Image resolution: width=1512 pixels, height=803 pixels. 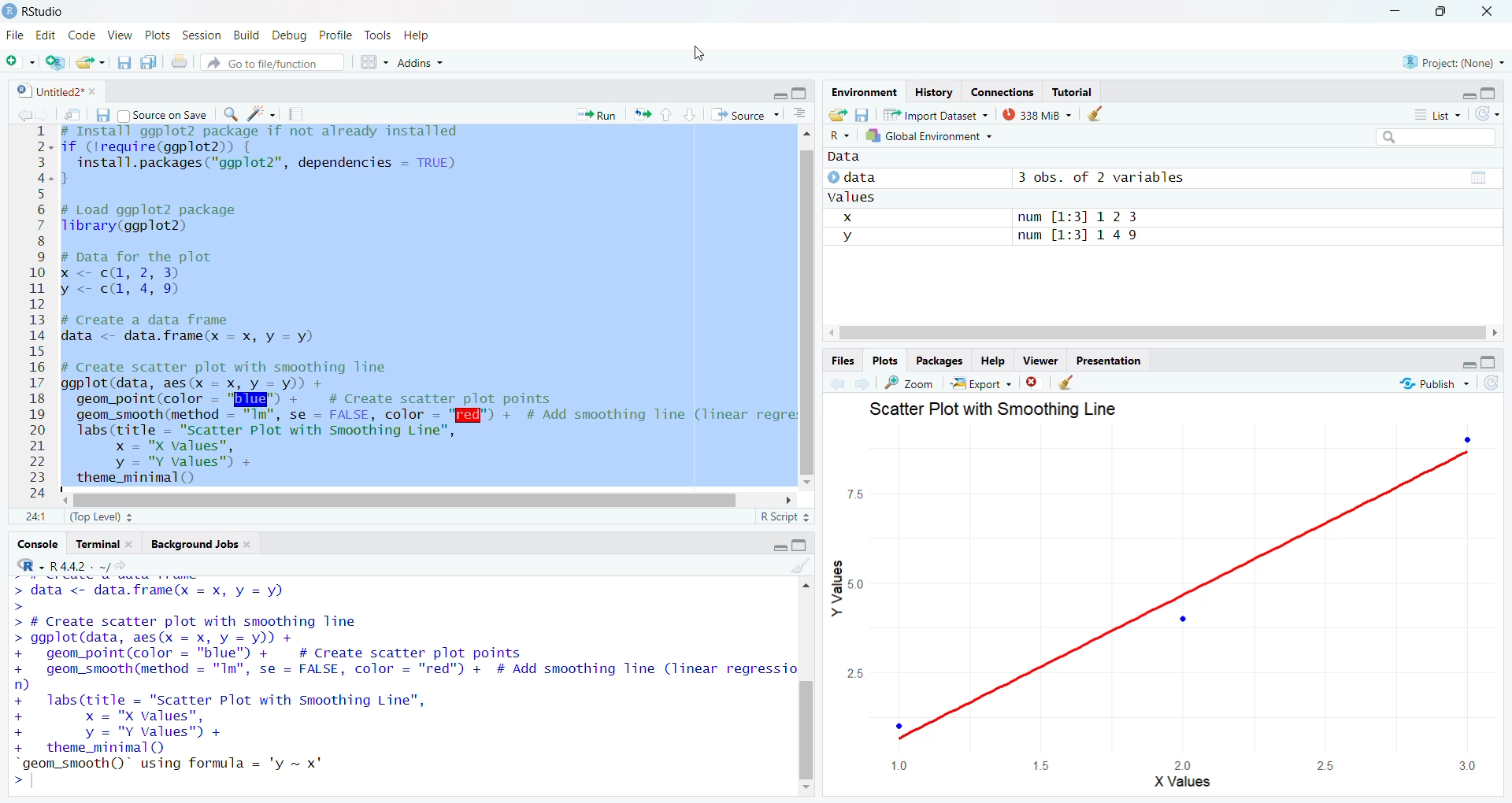 I want to click on save current file, so click(x=101, y=115).